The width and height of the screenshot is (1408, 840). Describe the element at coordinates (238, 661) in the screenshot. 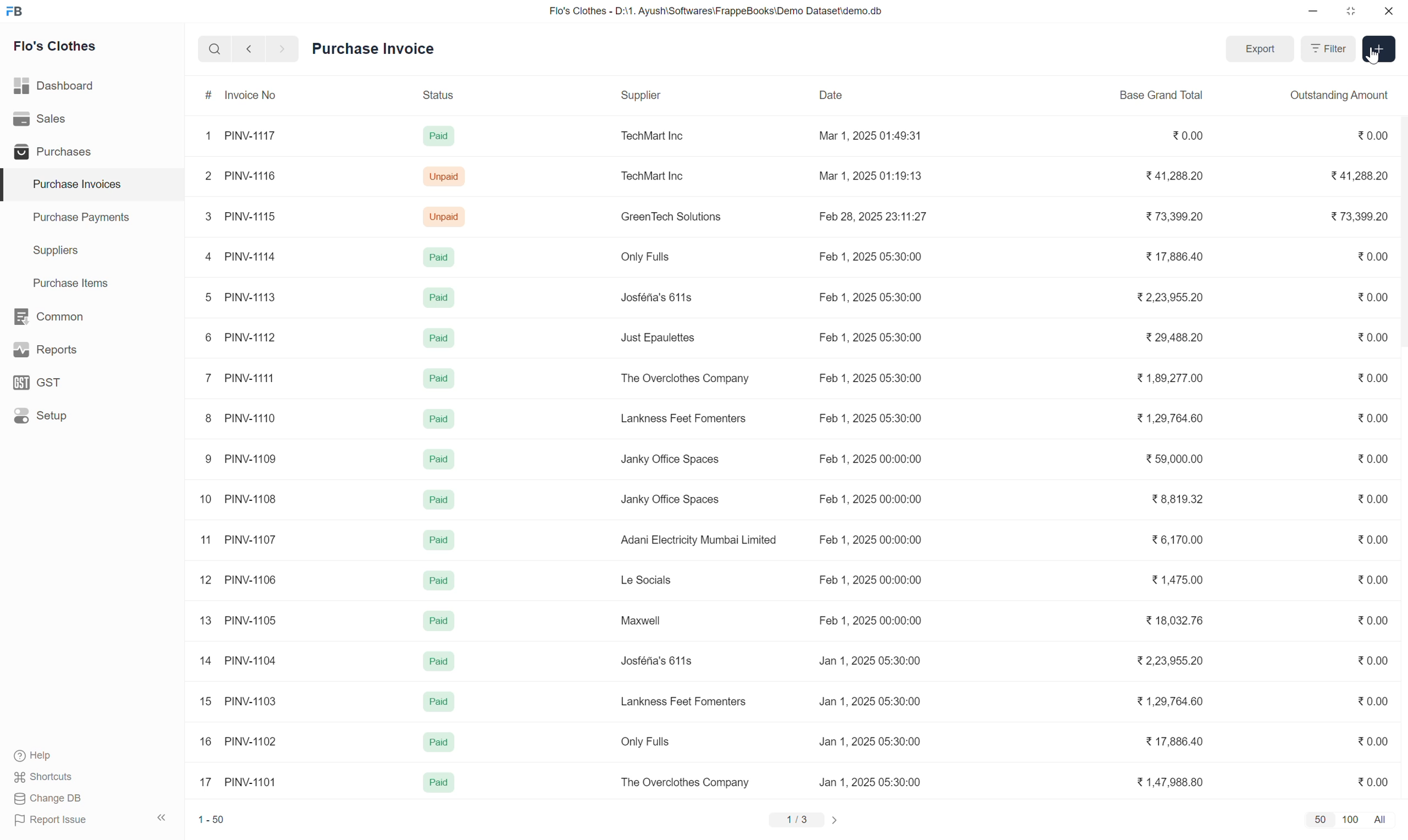

I see `14 PINV-1104` at that location.